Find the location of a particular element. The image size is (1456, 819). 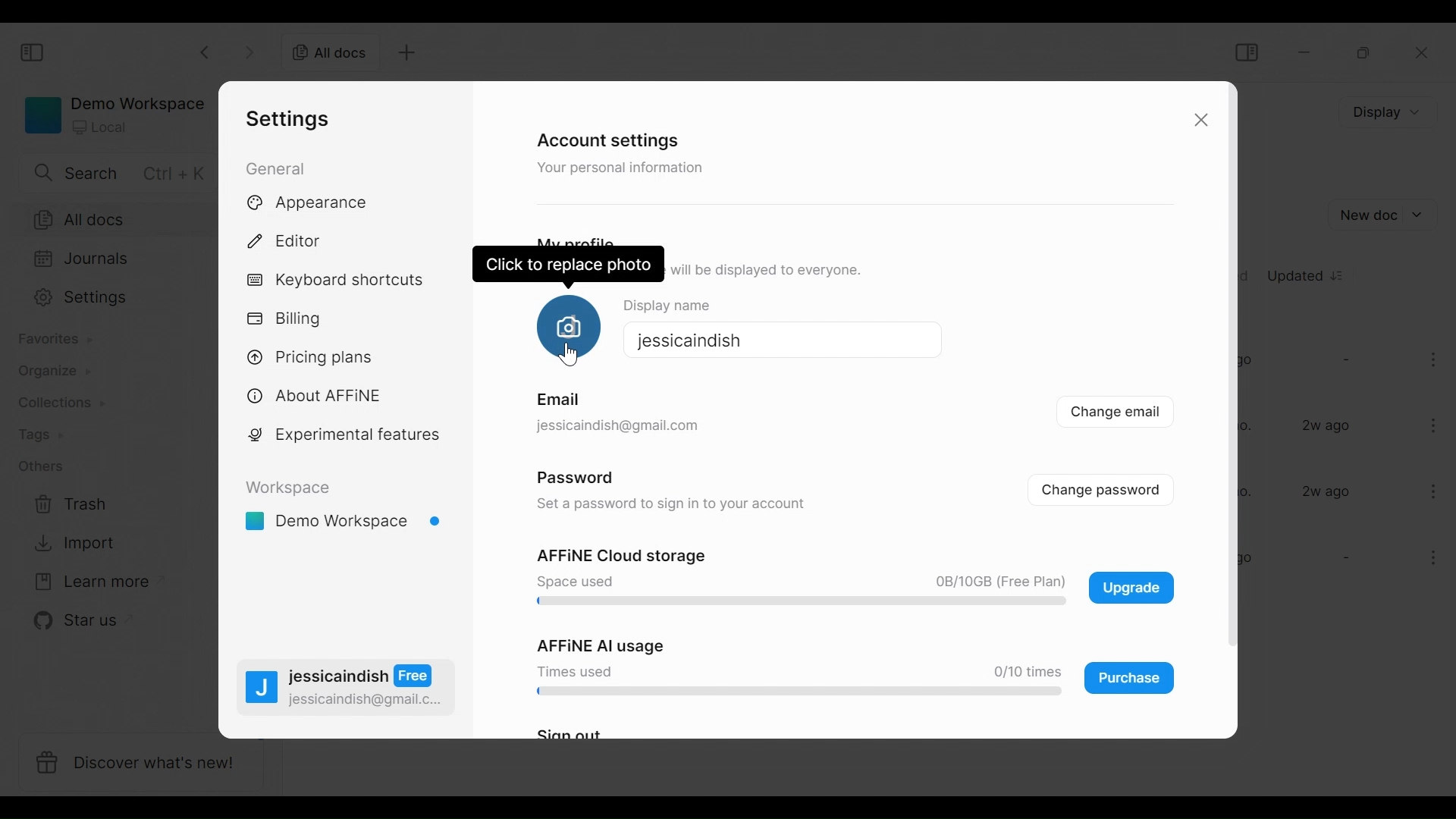

0B/10GB (Free Plan) is located at coordinates (996, 582).